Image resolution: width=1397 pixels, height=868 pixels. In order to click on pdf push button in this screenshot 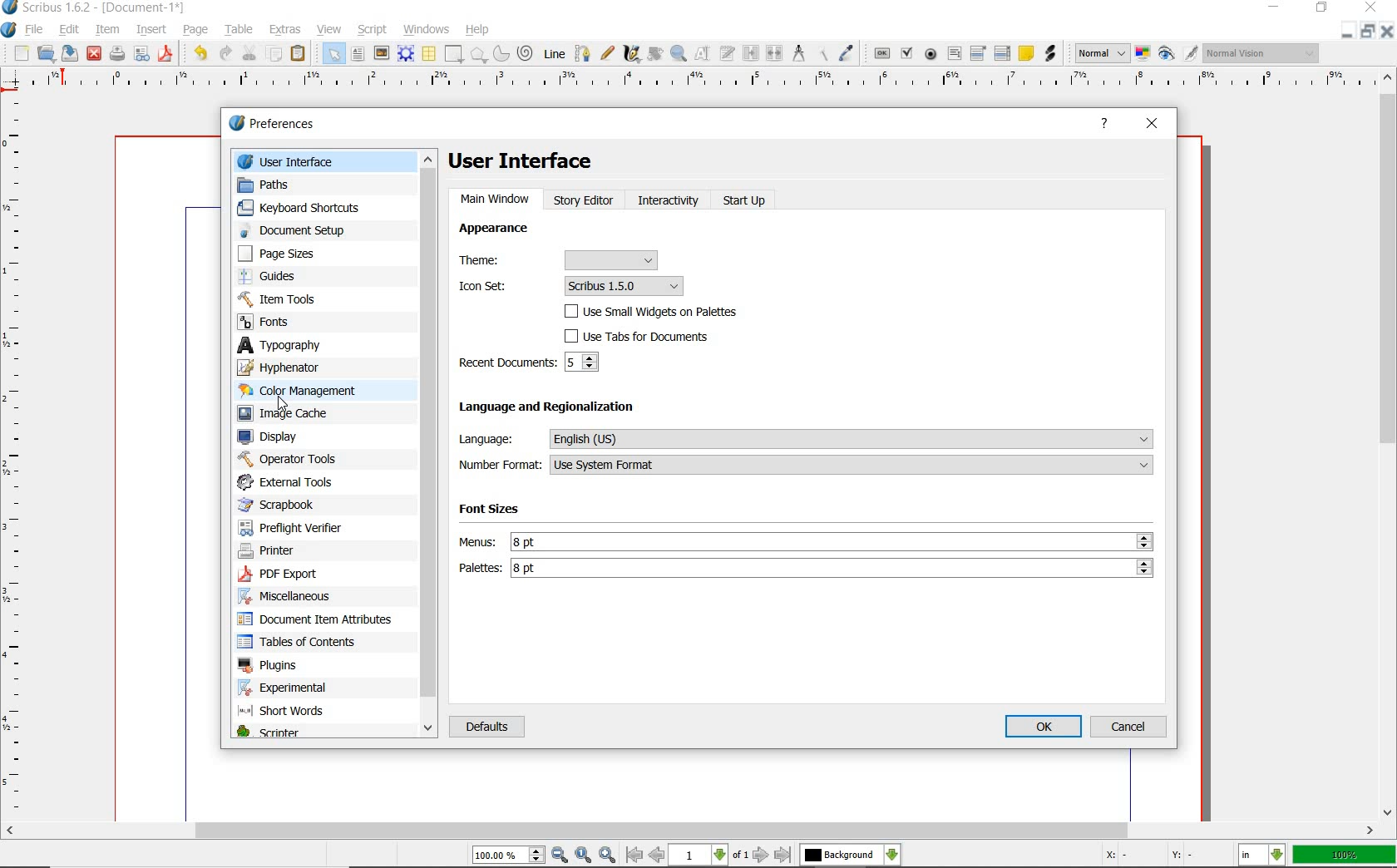, I will do `click(881, 53)`.